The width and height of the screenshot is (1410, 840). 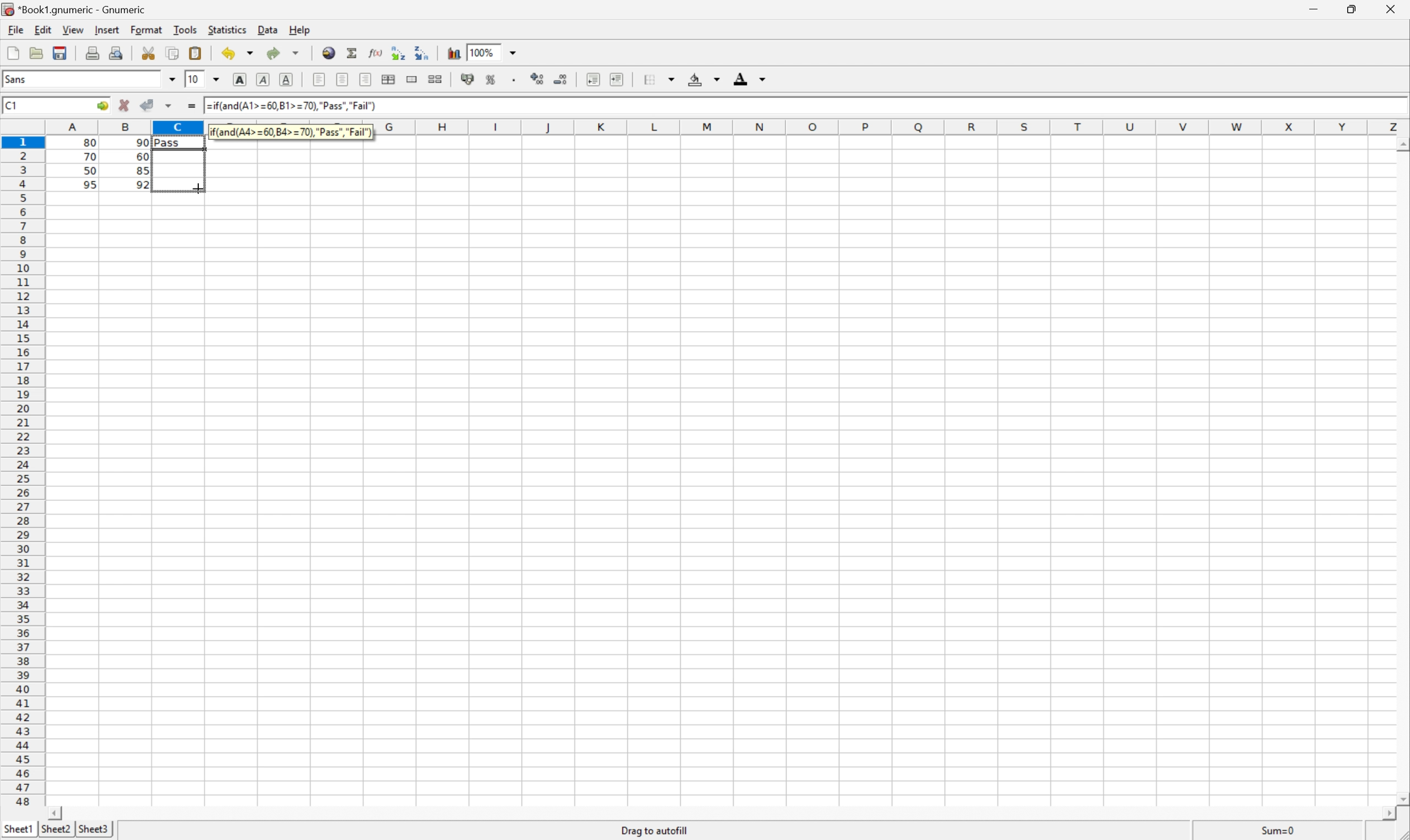 What do you see at coordinates (352, 52) in the screenshot?
I see `Sum into the current cell` at bounding box center [352, 52].